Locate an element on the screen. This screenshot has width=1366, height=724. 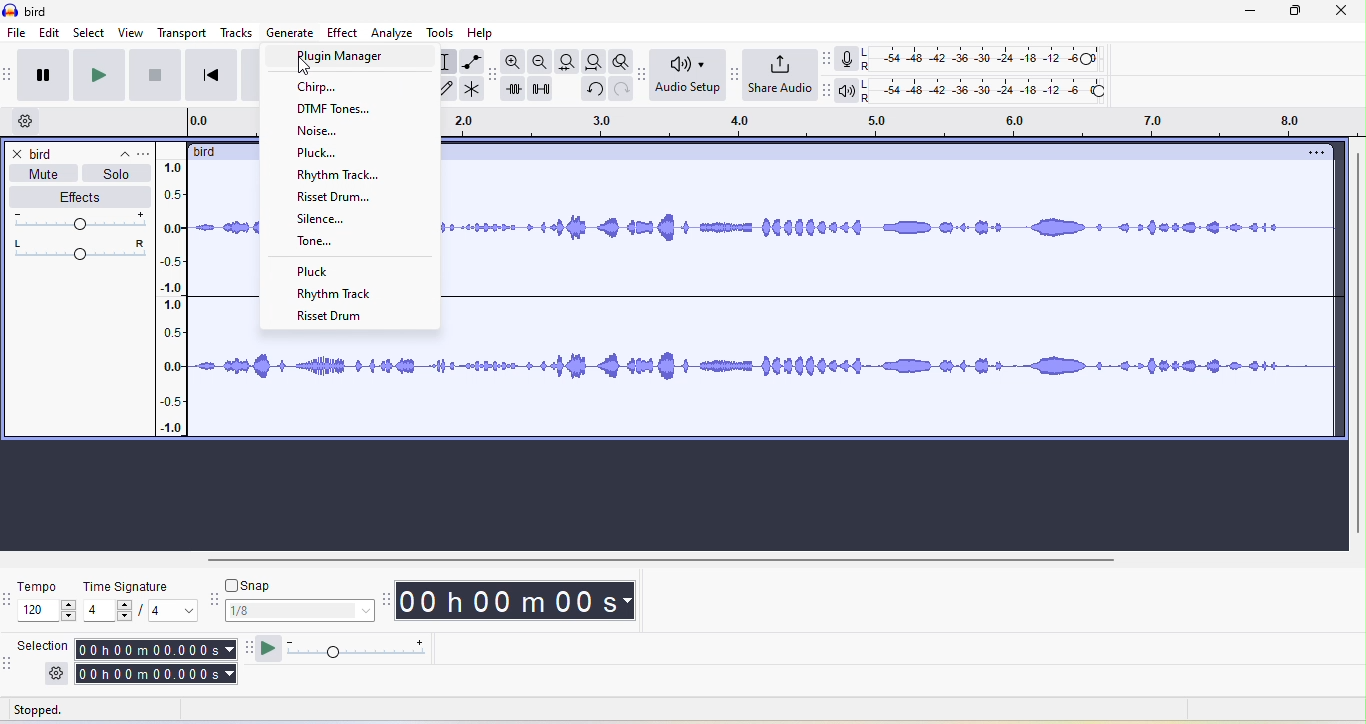
play is located at coordinates (98, 76).